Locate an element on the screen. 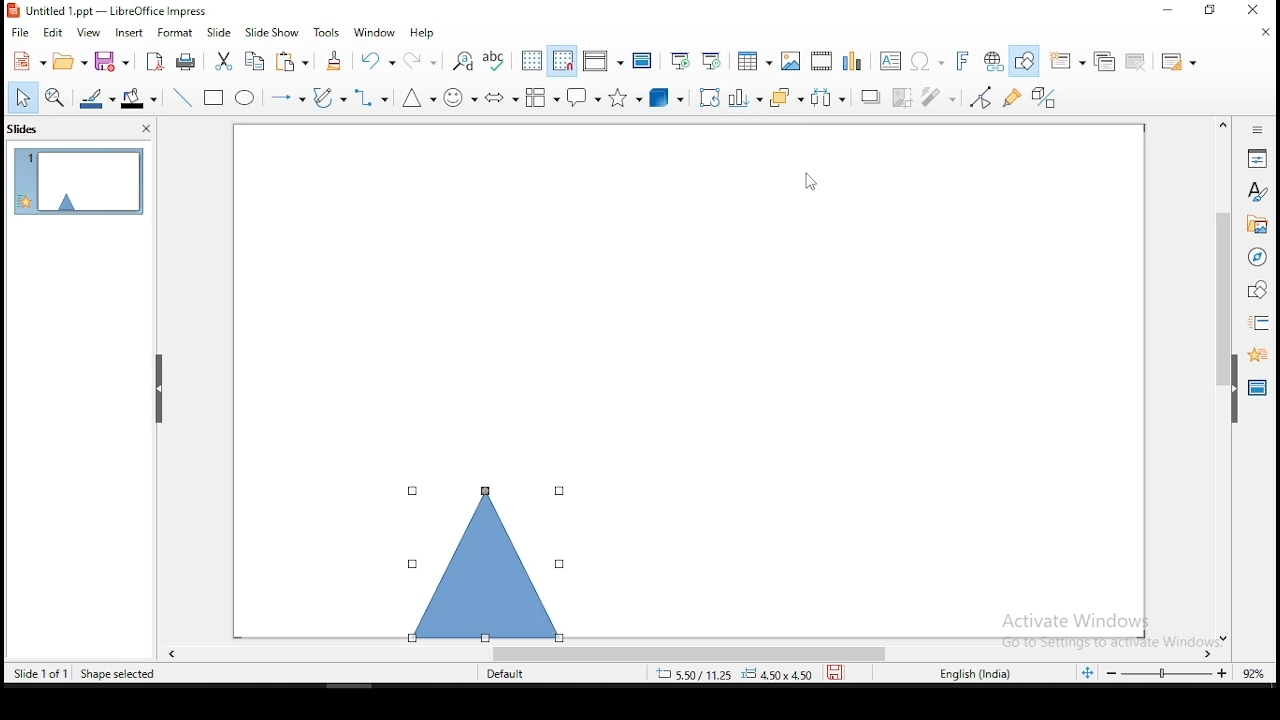 Image resolution: width=1280 pixels, height=720 pixels. styles is located at coordinates (1258, 194).